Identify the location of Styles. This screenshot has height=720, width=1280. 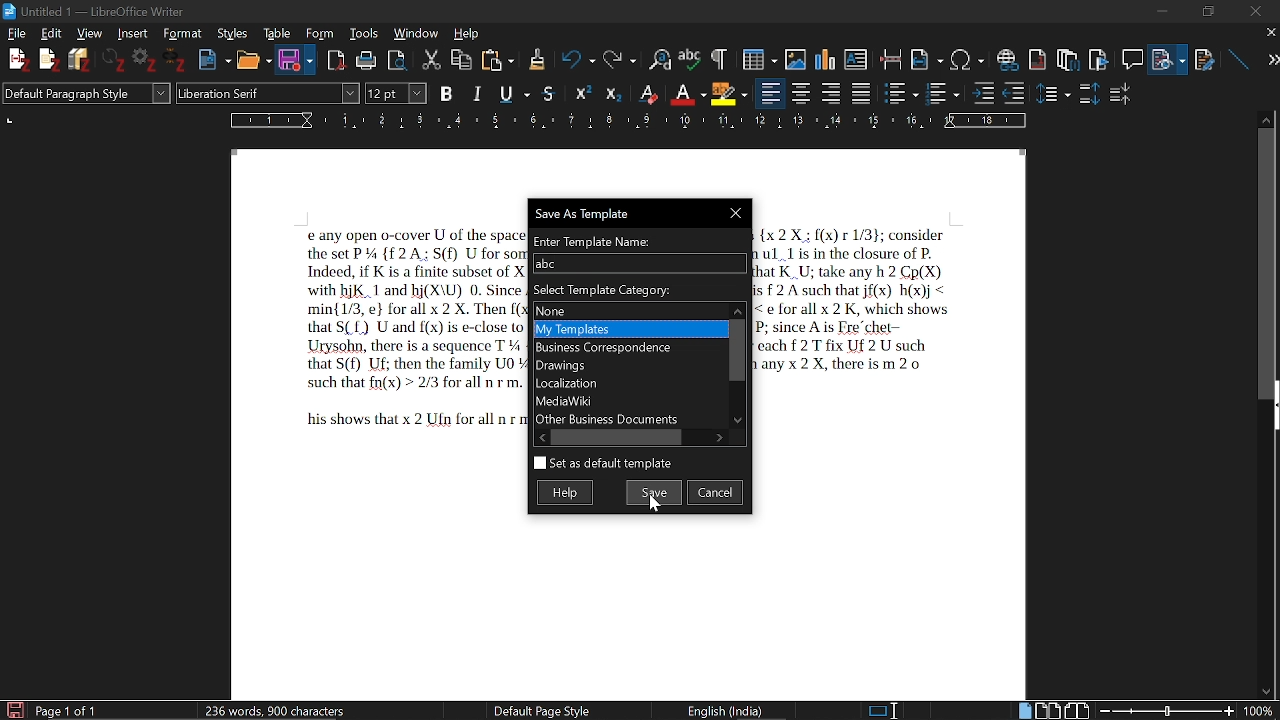
(231, 34).